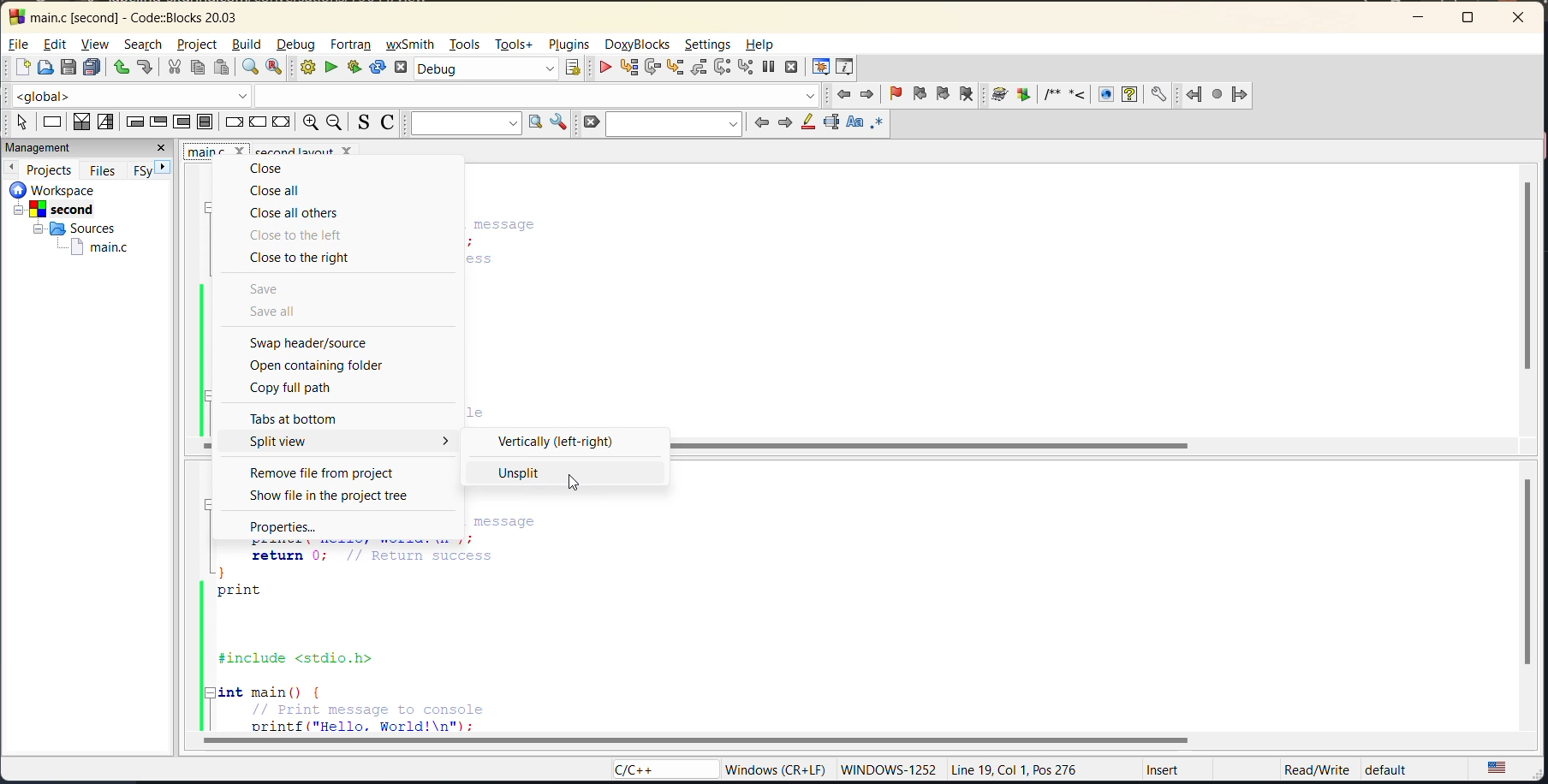 The height and width of the screenshot is (784, 1548). Describe the element at coordinates (696, 69) in the screenshot. I see `step out` at that location.